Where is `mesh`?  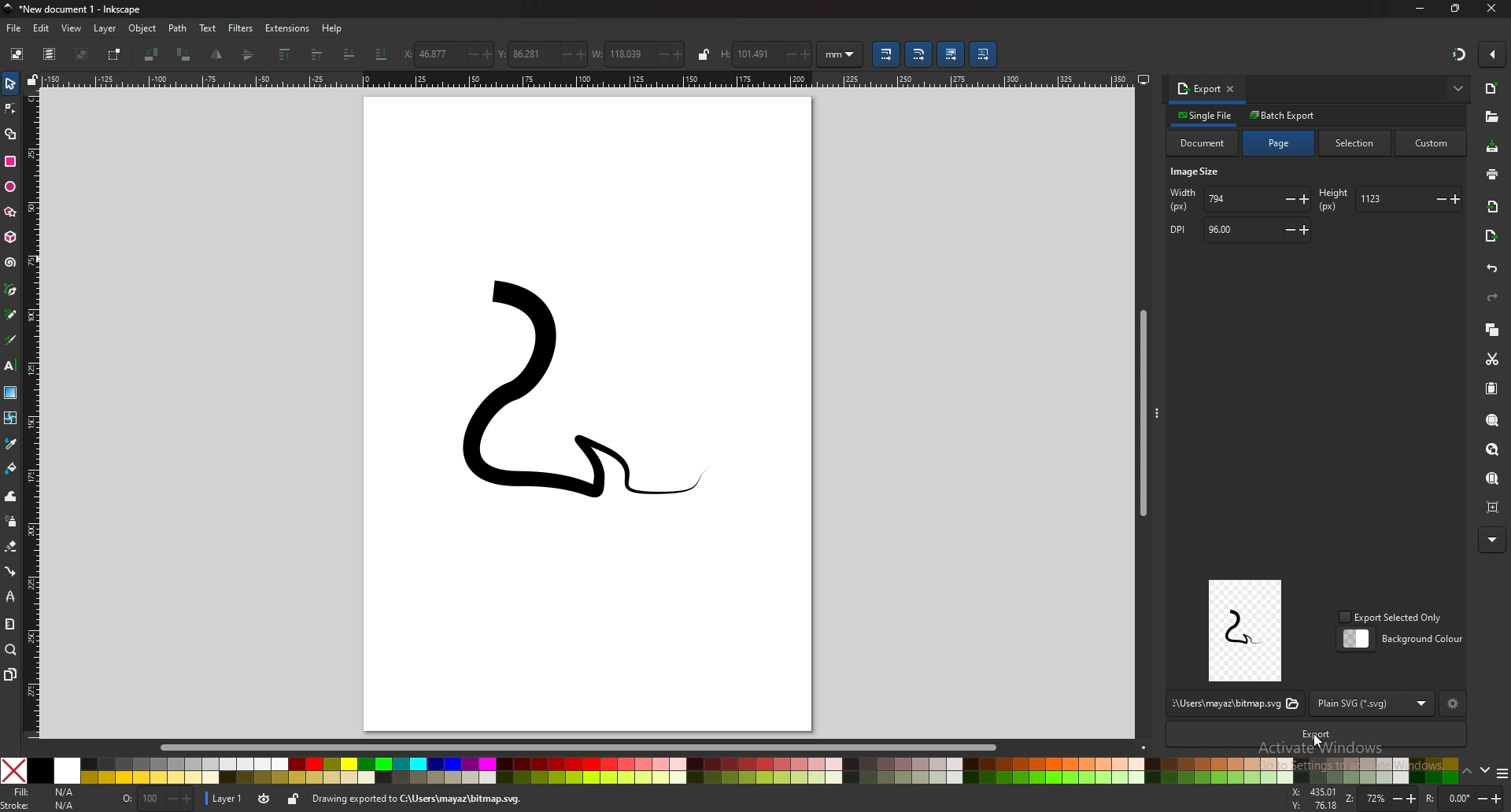 mesh is located at coordinates (11, 417).